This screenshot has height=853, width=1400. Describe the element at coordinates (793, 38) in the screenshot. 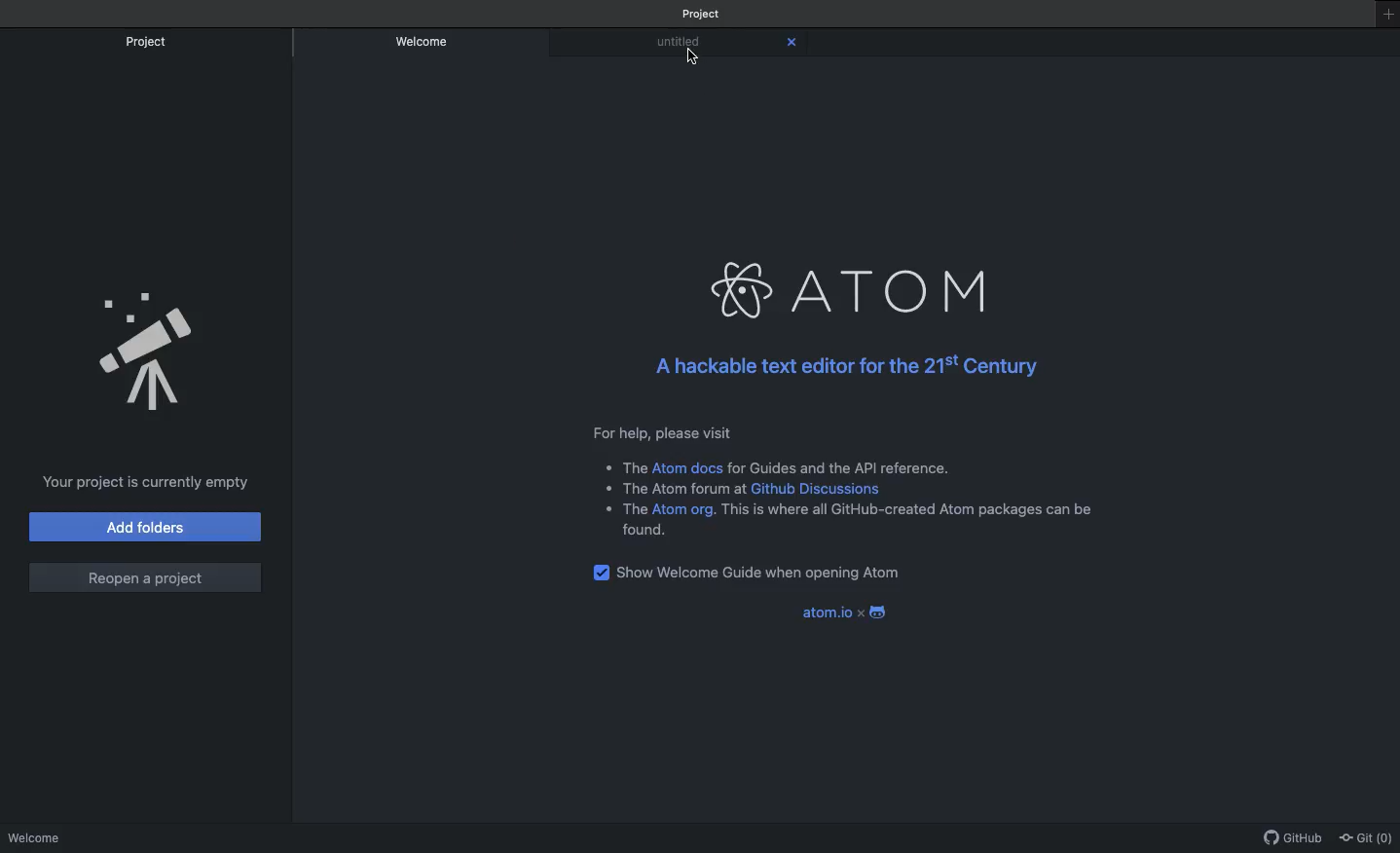

I see `Close` at that location.